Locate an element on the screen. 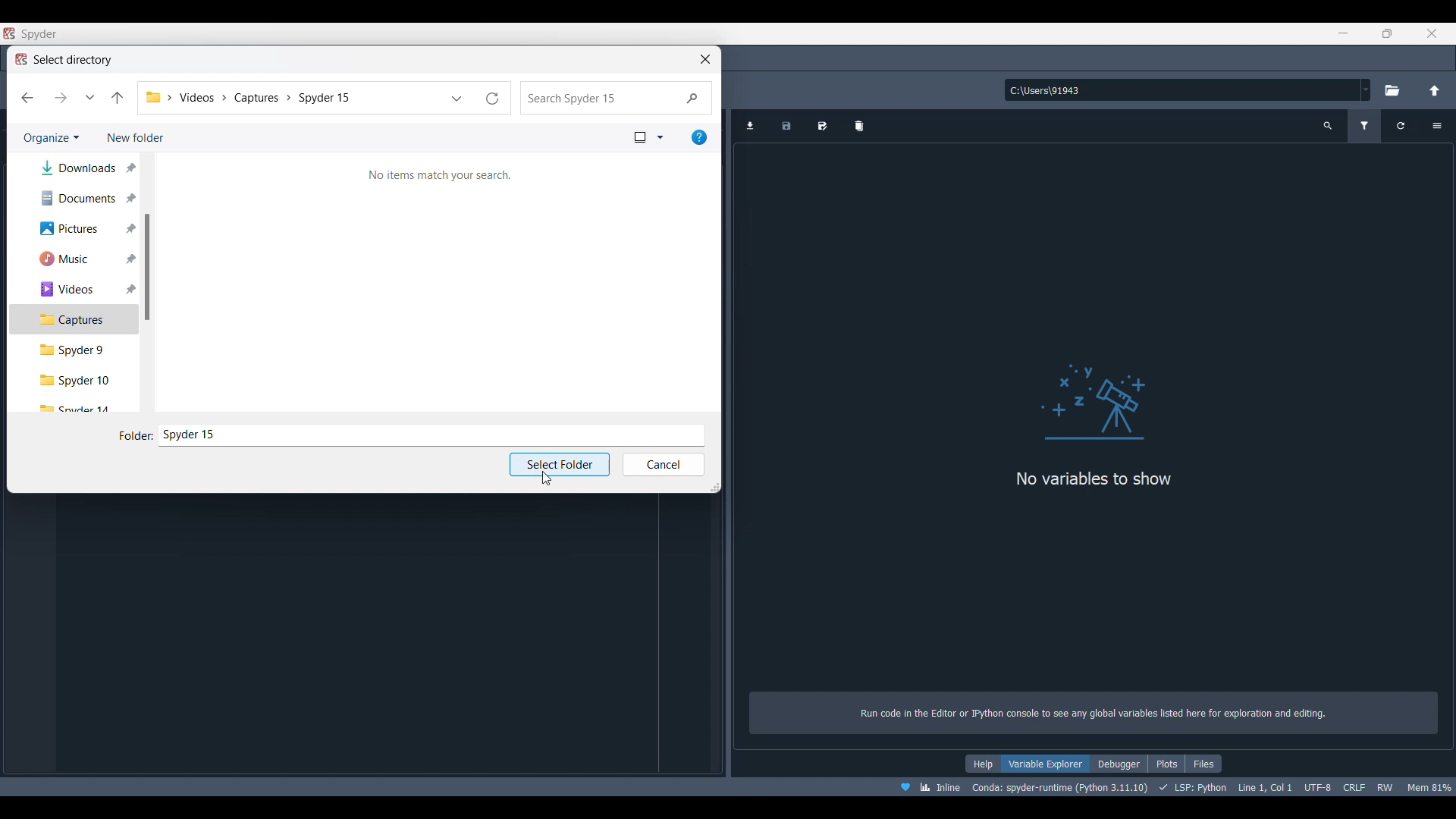 The image size is (1456, 819). Change to parent directory is located at coordinates (1435, 90).